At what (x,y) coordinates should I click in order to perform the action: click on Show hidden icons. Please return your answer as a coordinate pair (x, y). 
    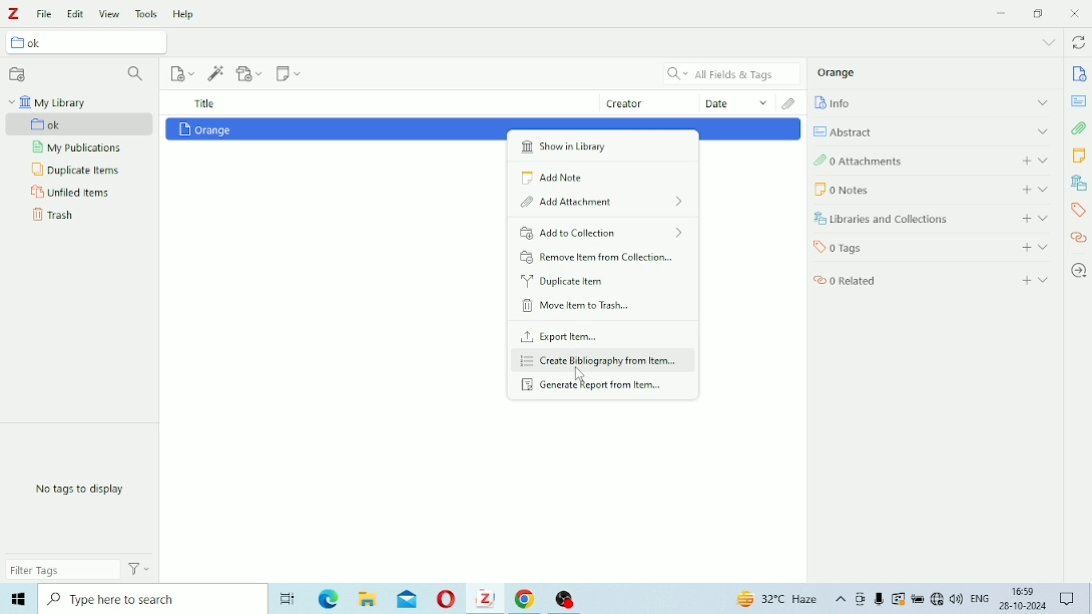
    Looking at the image, I should click on (841, 600).